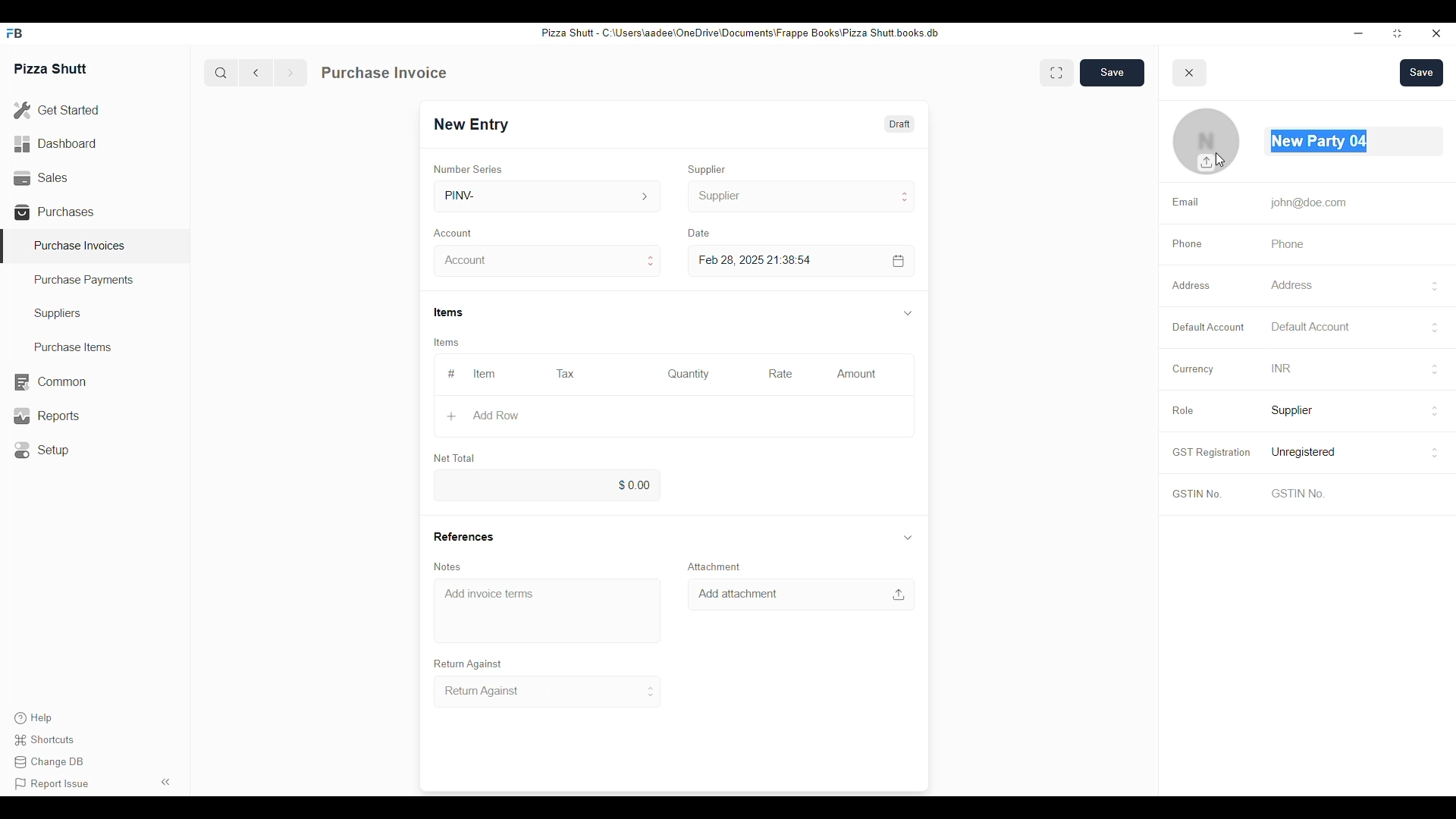  What do you see at coordinates (1434, 287) in the screenshot?
I see `buttons` at bounding box center [1434, 287].